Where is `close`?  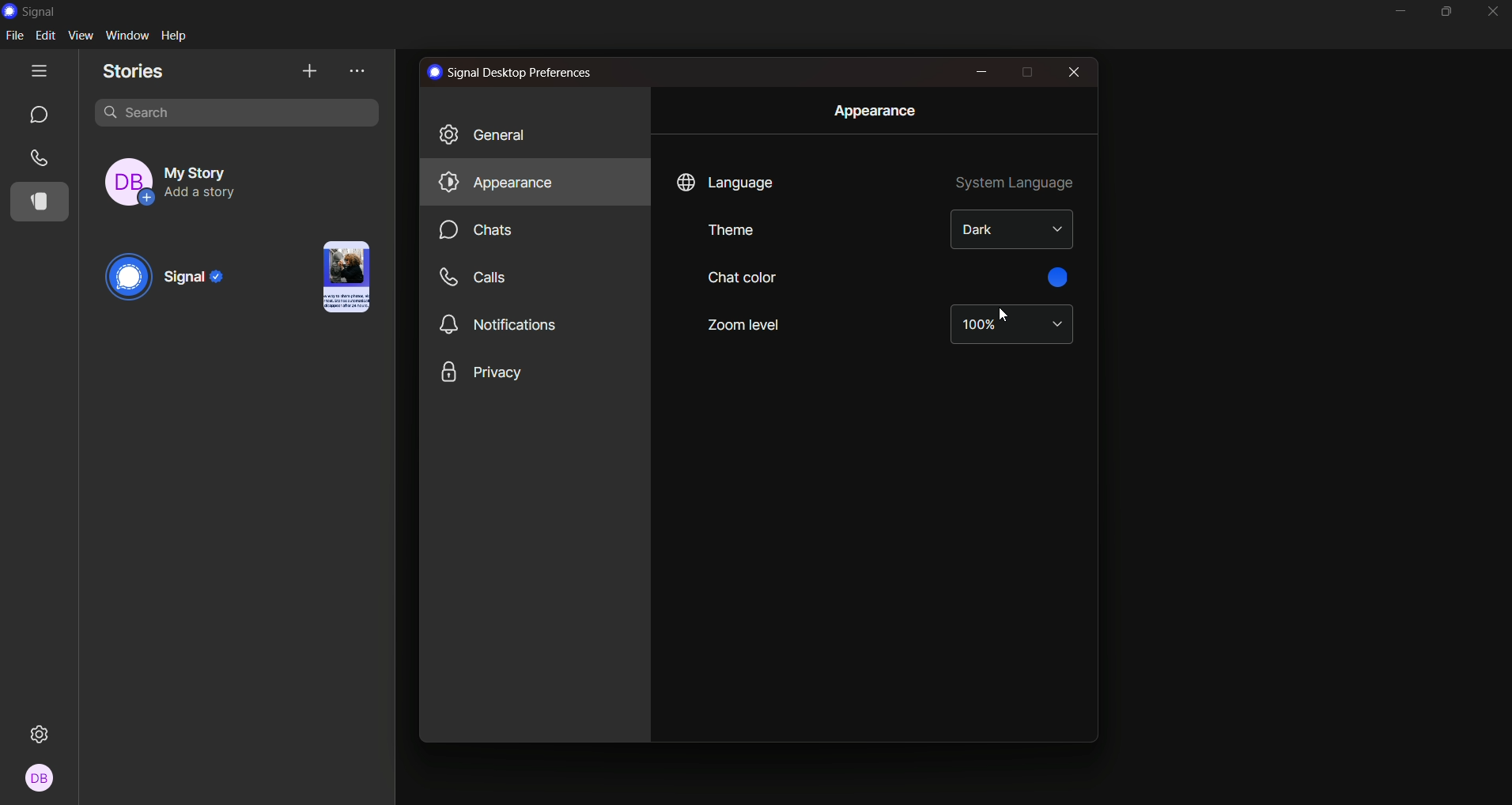 close is located at coordinates (1492, 13).